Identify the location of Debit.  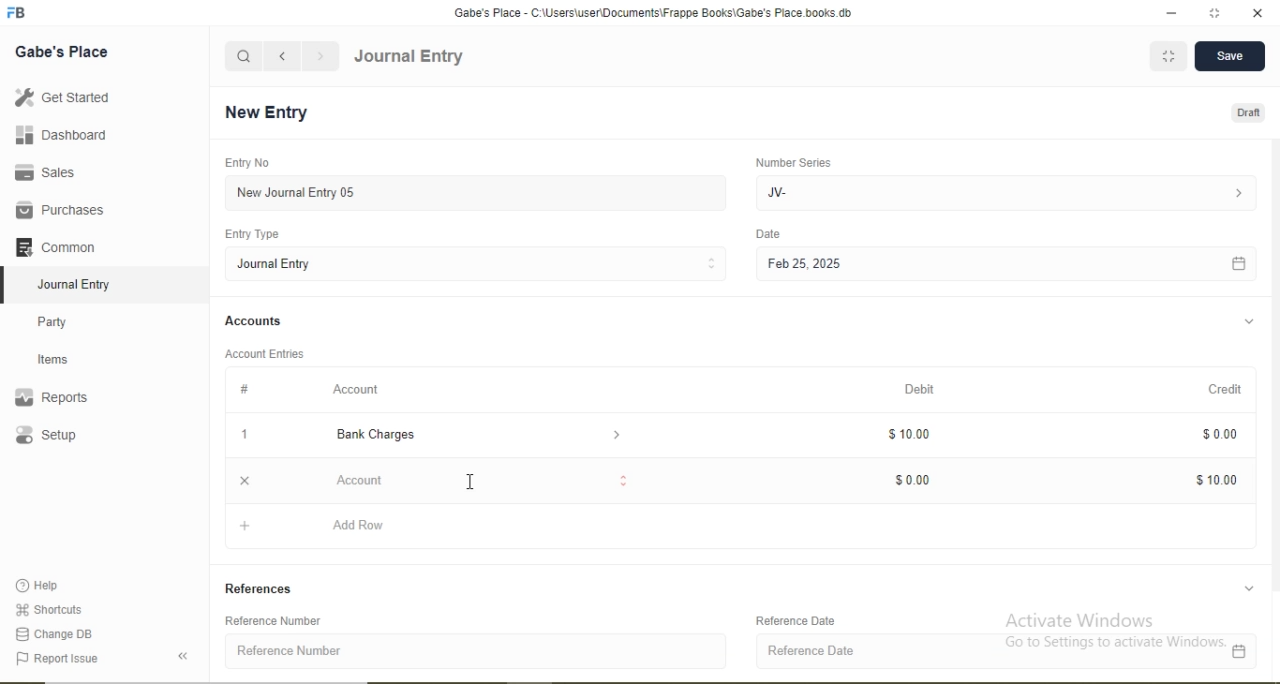
(922, 390).